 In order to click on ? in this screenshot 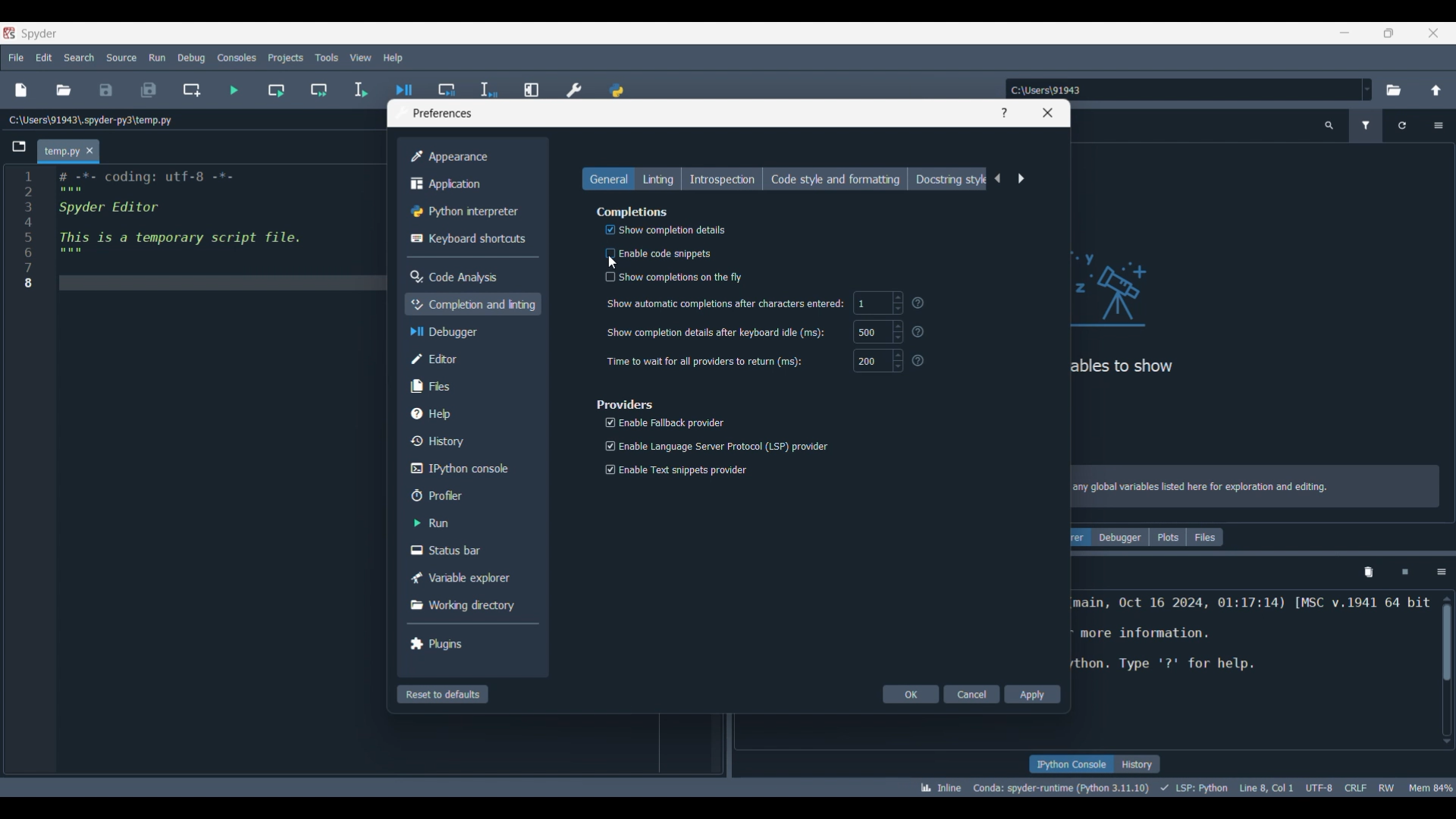, I will do `click(921, 362)`.